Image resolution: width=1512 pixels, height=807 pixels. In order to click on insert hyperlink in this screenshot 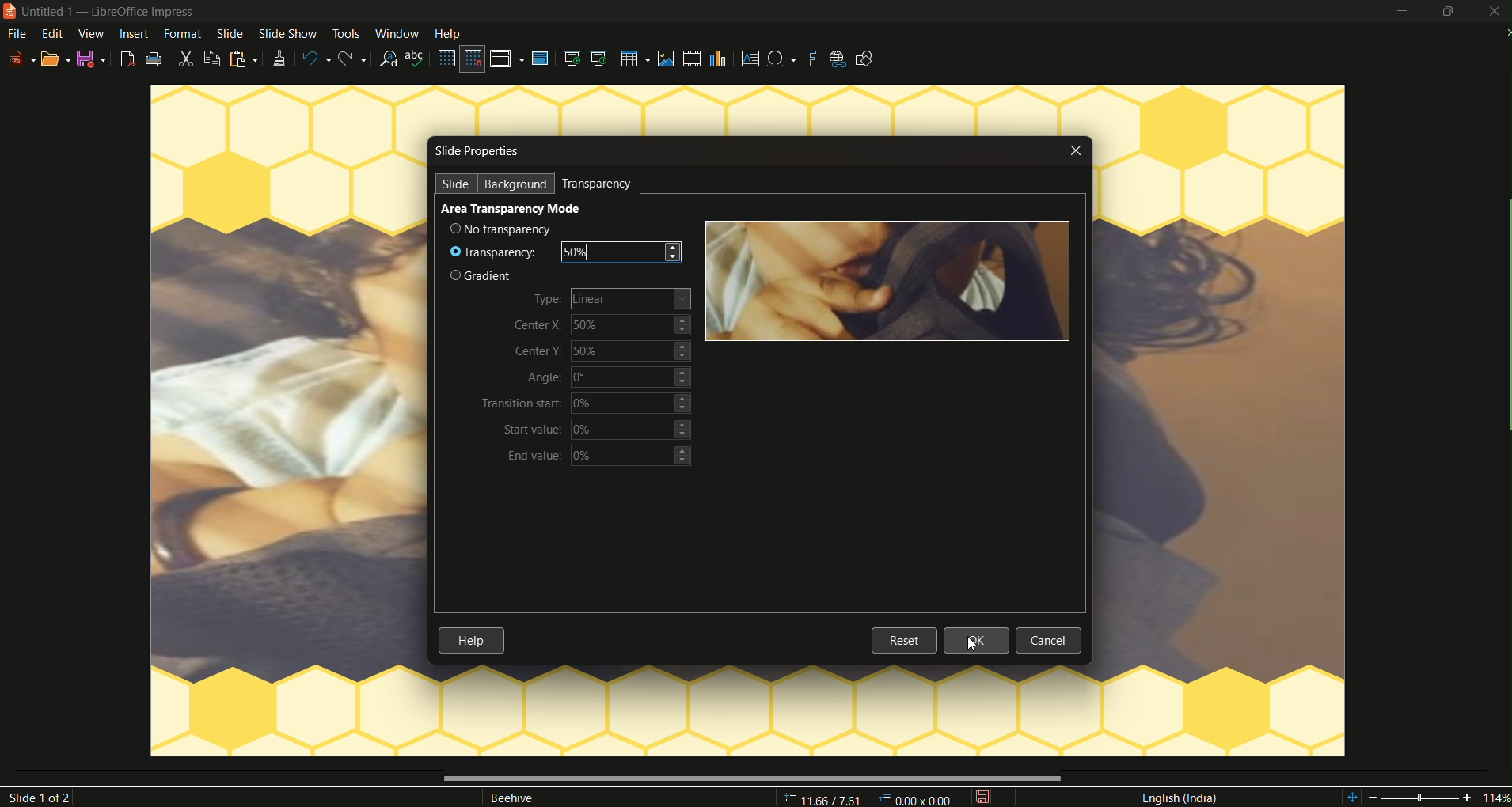, I will do `click(838, 59)`.